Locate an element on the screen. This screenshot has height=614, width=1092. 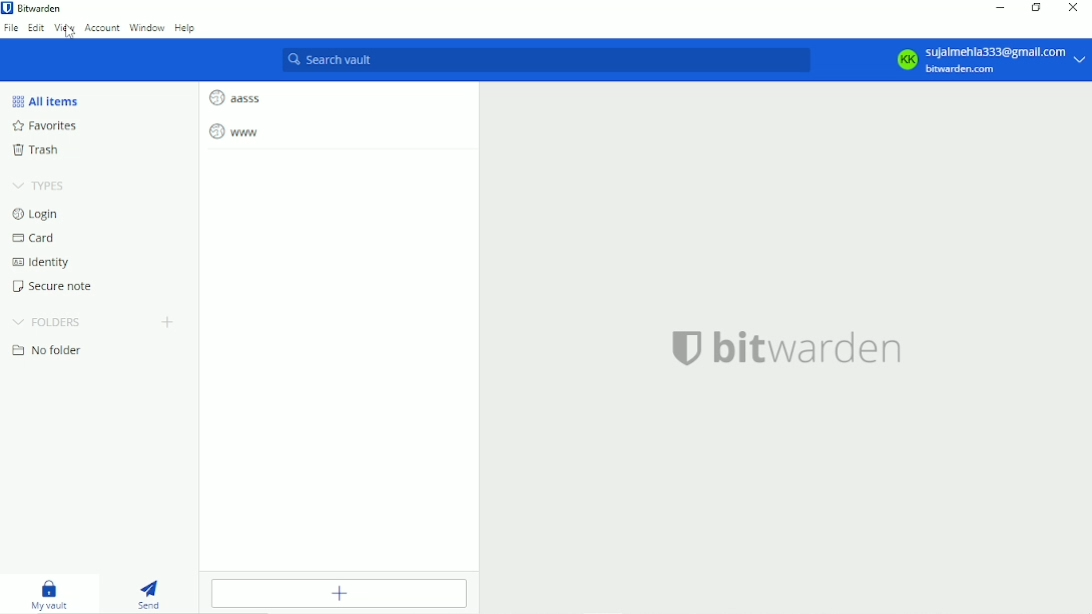
Trash is located at coordinates (40, 150).